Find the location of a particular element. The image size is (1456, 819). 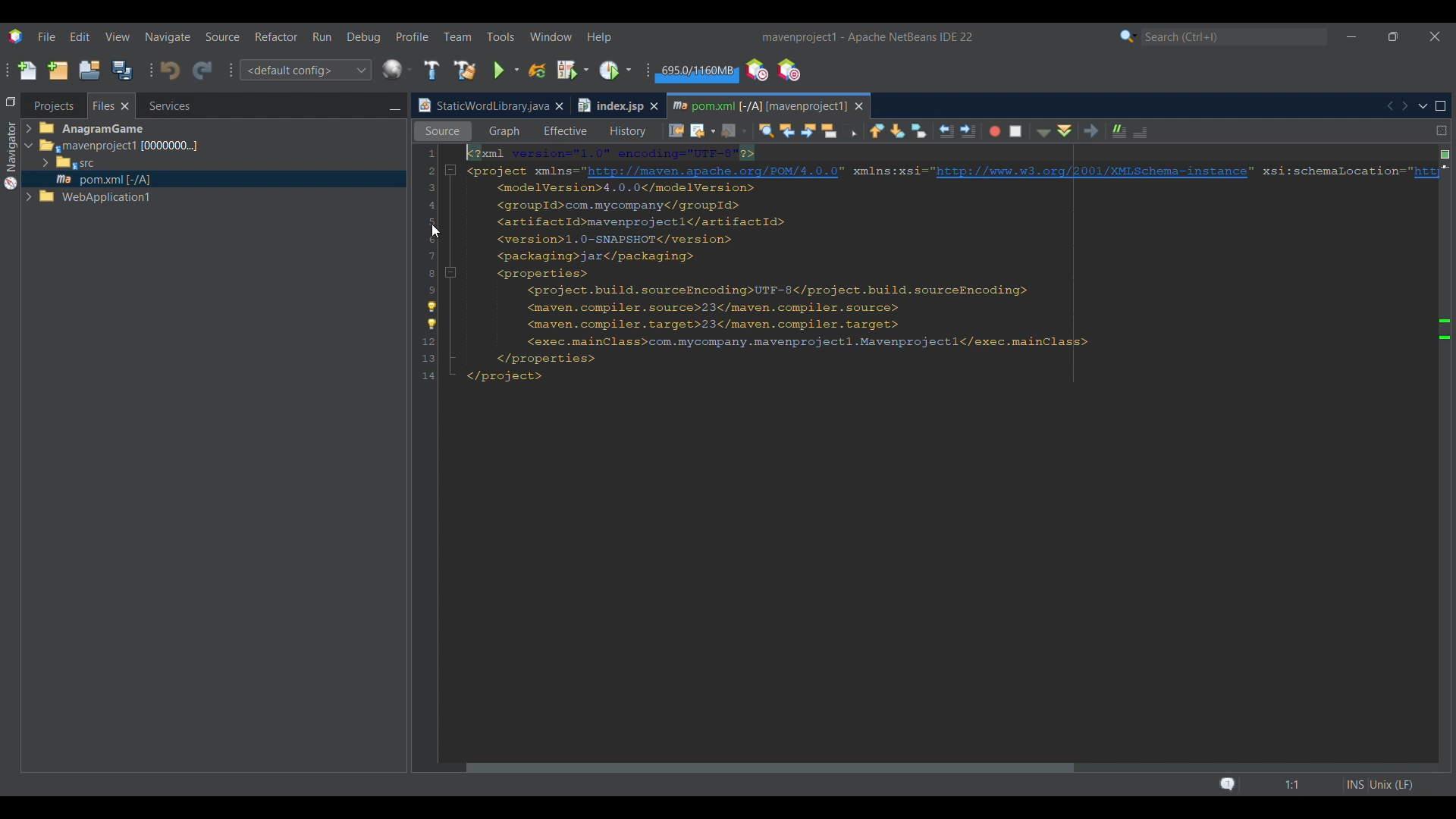

Forward options is located at coordinates (730, 130).